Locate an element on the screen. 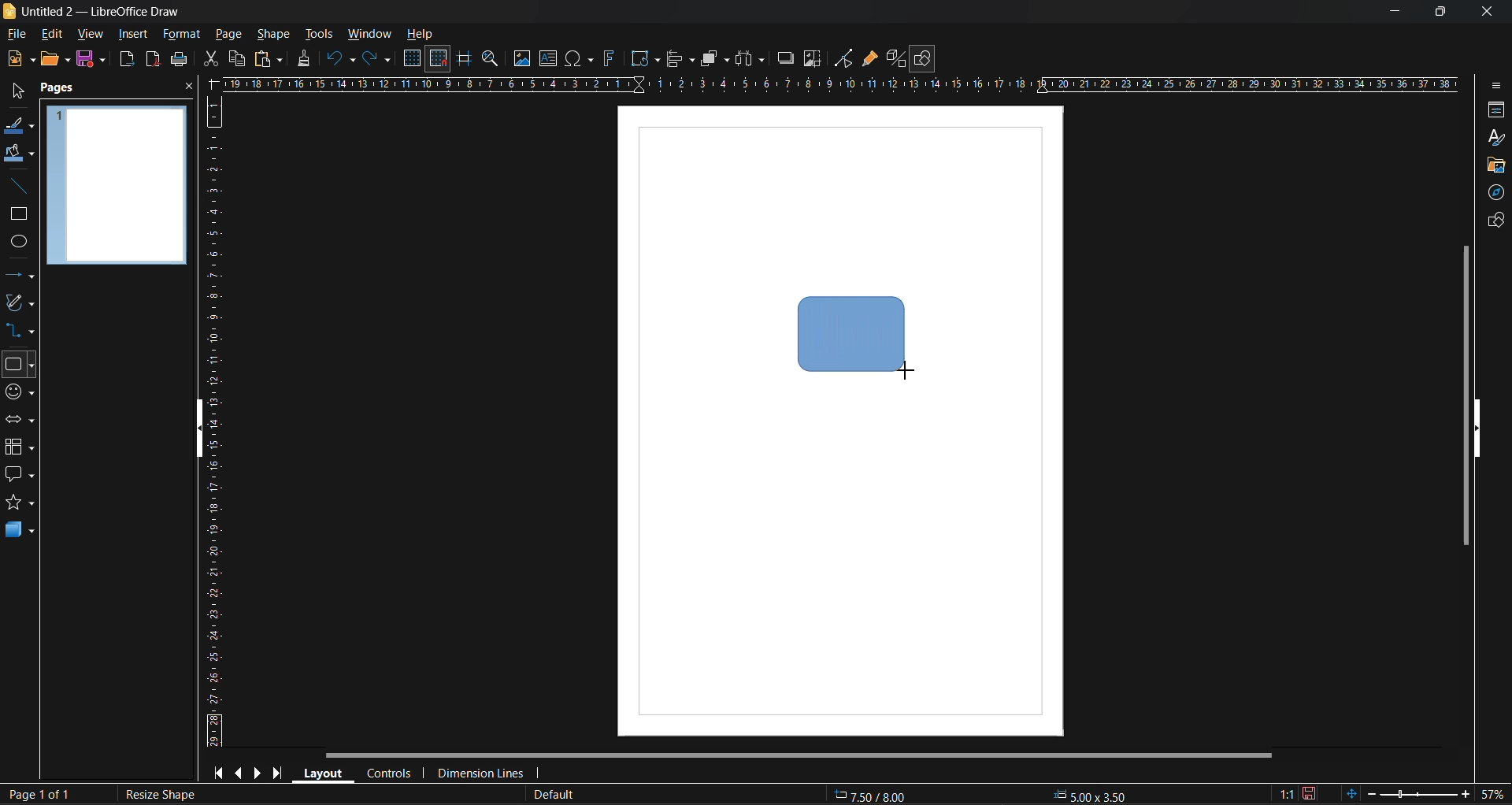 This screenshot has height=805, width=1512. fontwork is located at coordinates (612, 57).